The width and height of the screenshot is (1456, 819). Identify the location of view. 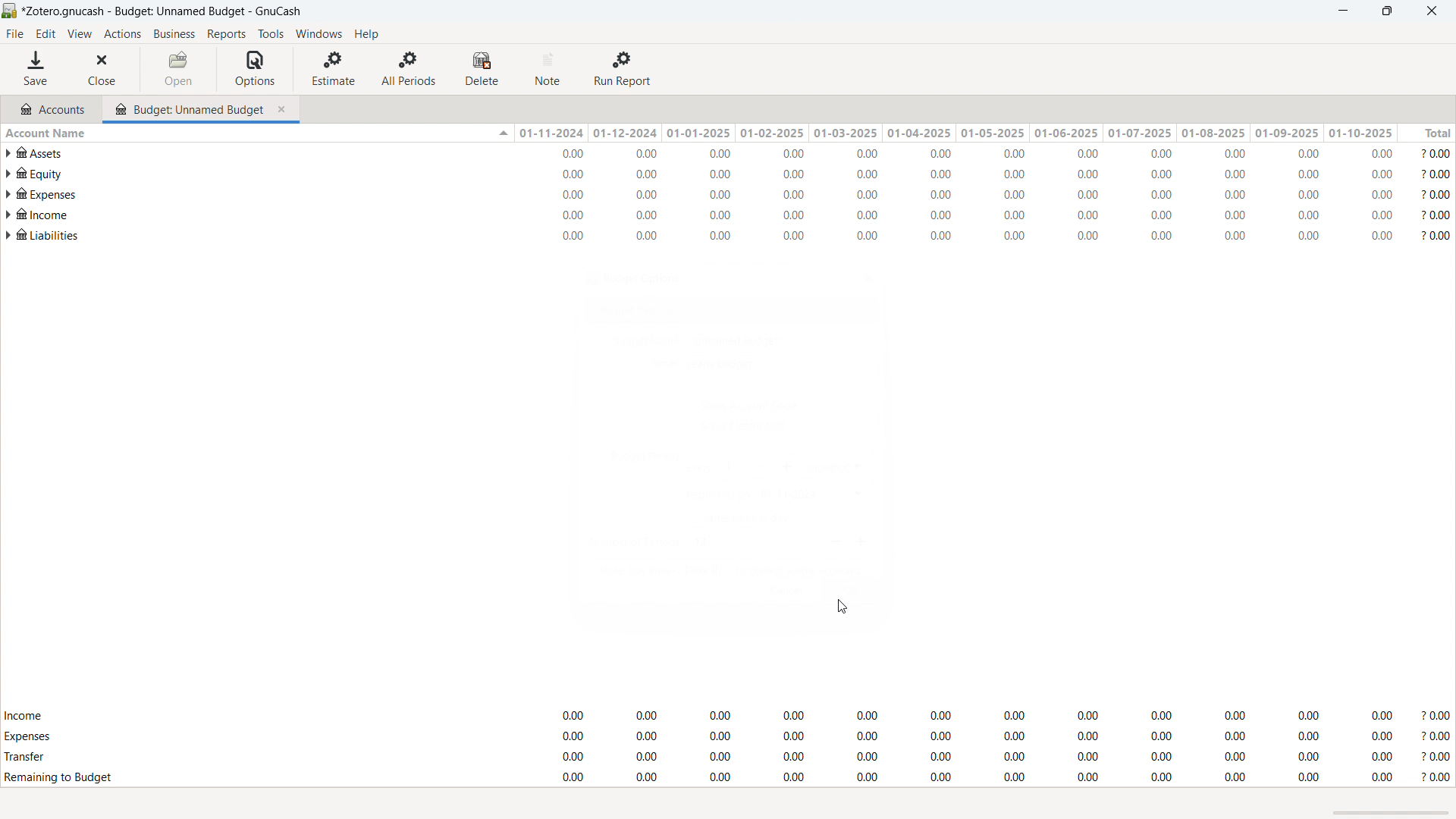
(79, 34).